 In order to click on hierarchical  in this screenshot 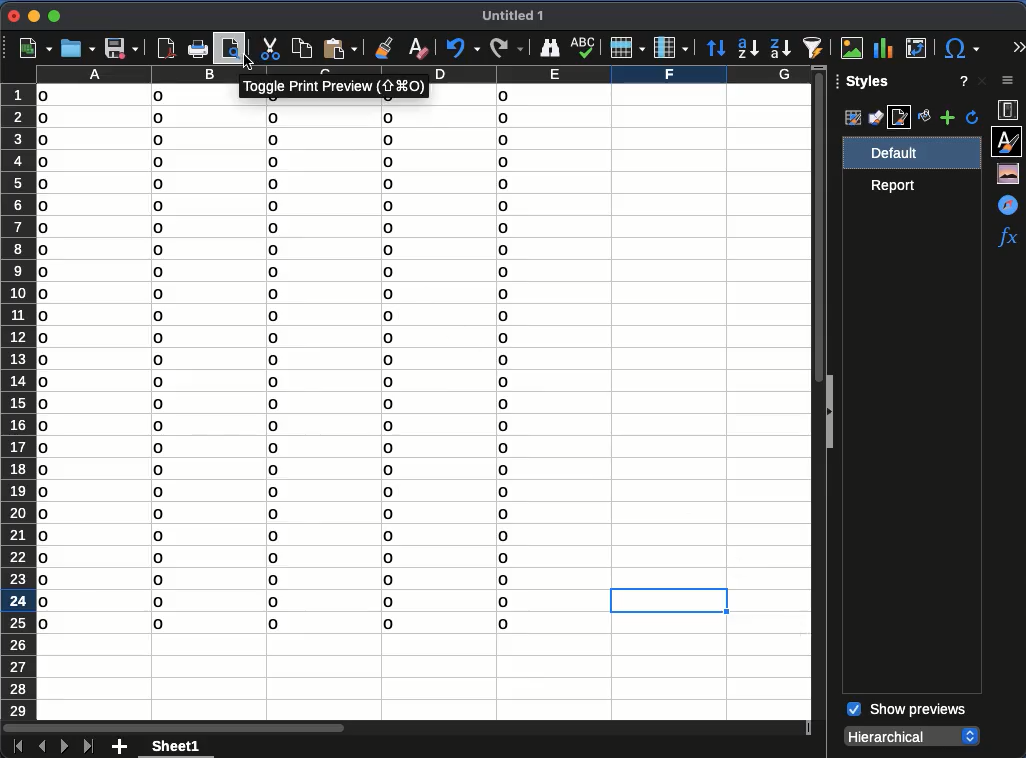, I will do `click(914, 735)`.